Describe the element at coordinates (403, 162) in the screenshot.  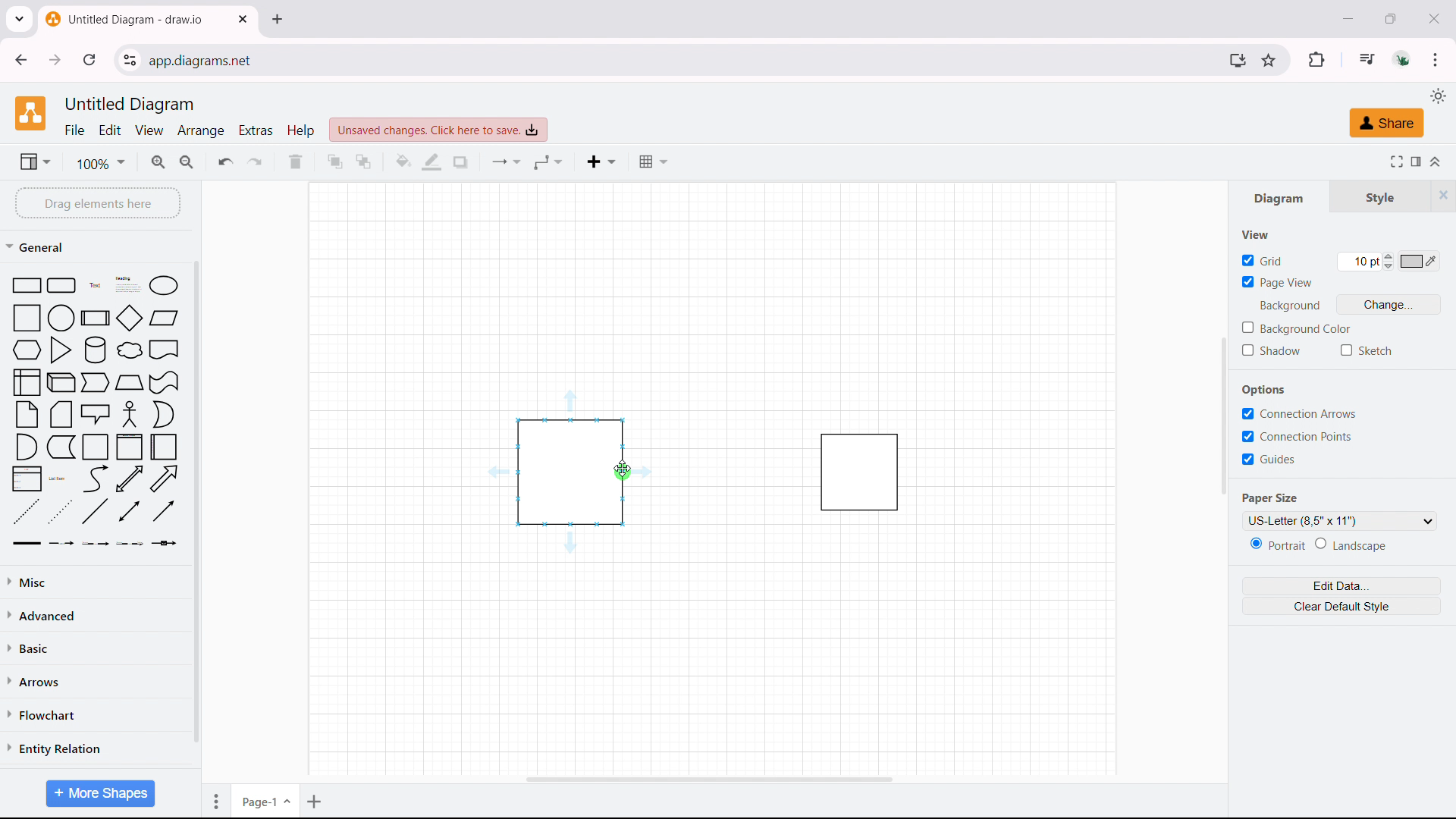
I see `fill color` at that location.